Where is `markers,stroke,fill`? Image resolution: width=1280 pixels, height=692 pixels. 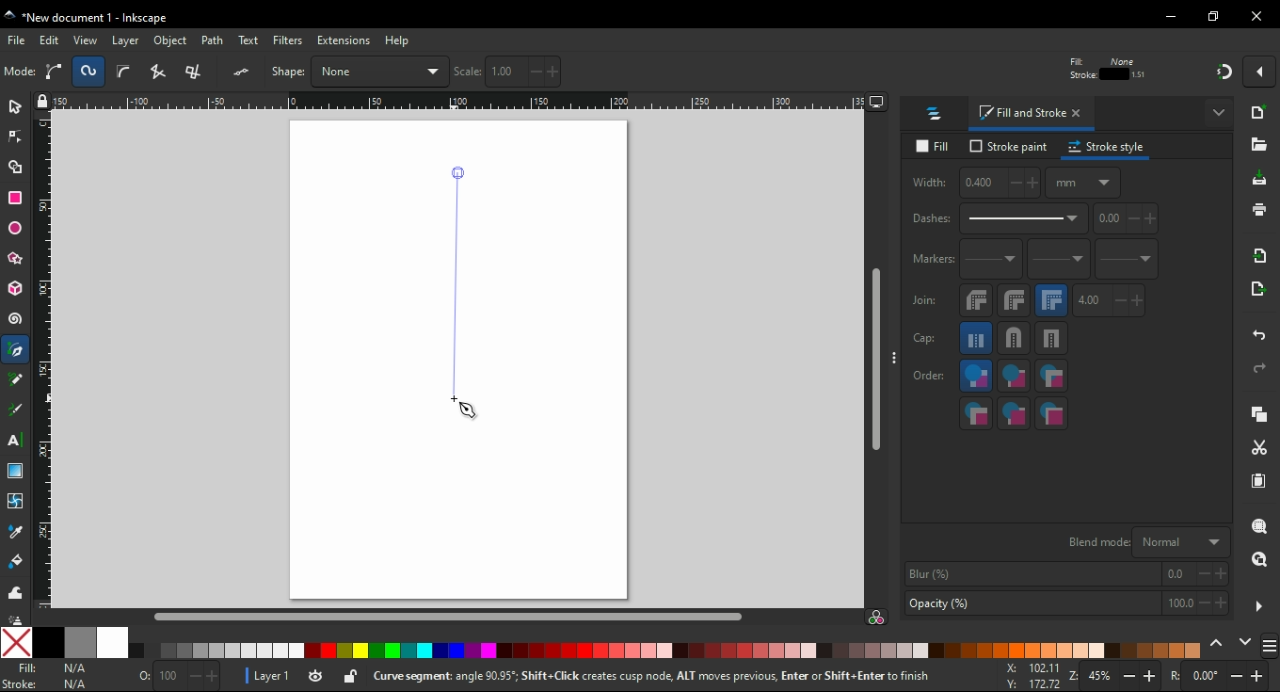 markers,stroke,fill is located at coordinates (1052, 414).